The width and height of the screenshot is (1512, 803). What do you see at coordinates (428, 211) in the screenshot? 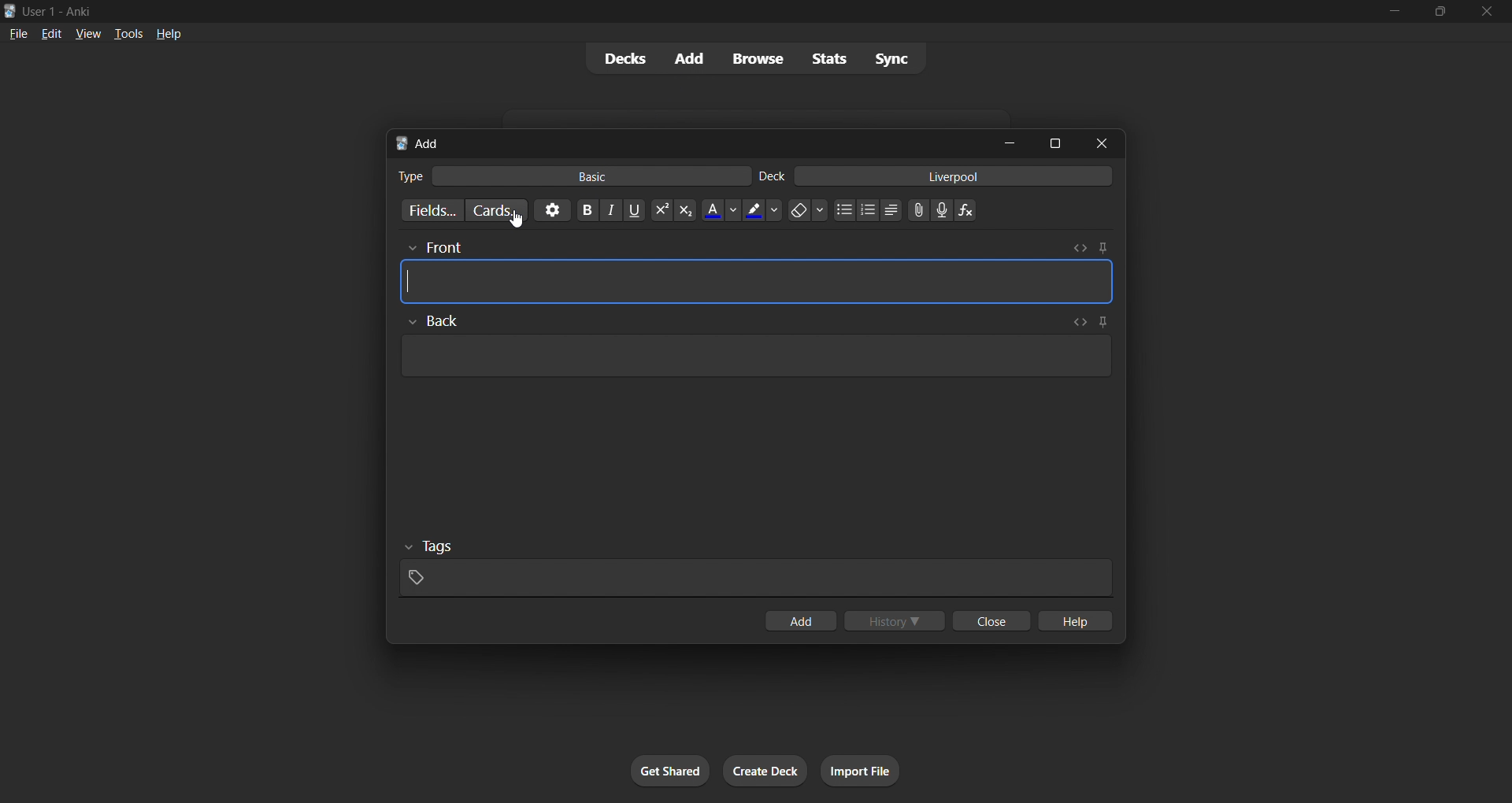
I see `customize fields` at bounding box center [428, 211].